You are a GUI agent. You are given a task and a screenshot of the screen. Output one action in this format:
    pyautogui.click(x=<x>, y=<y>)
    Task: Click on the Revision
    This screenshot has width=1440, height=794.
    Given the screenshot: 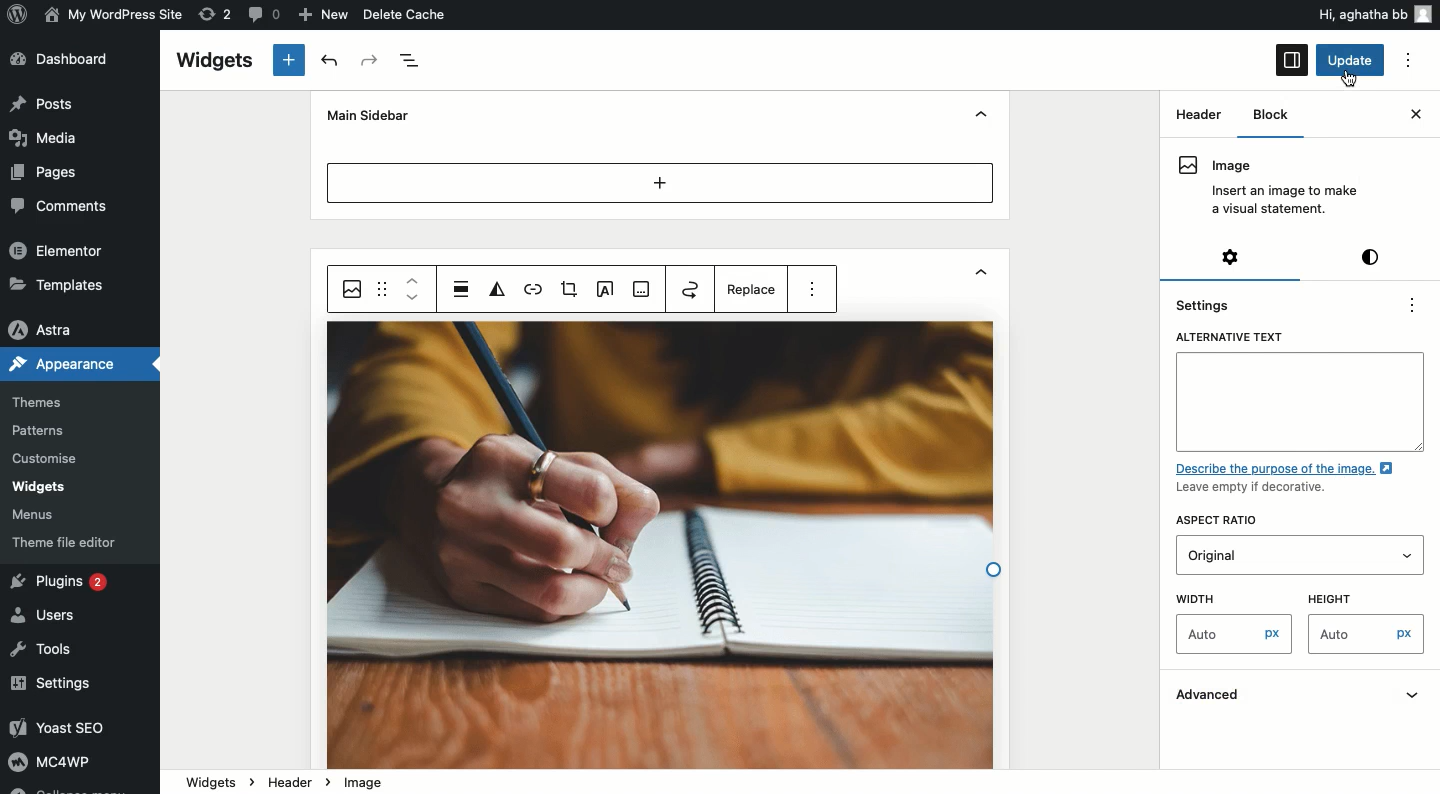 What is the action you would take?
    pyautogui.click(x=216, y=13)
    